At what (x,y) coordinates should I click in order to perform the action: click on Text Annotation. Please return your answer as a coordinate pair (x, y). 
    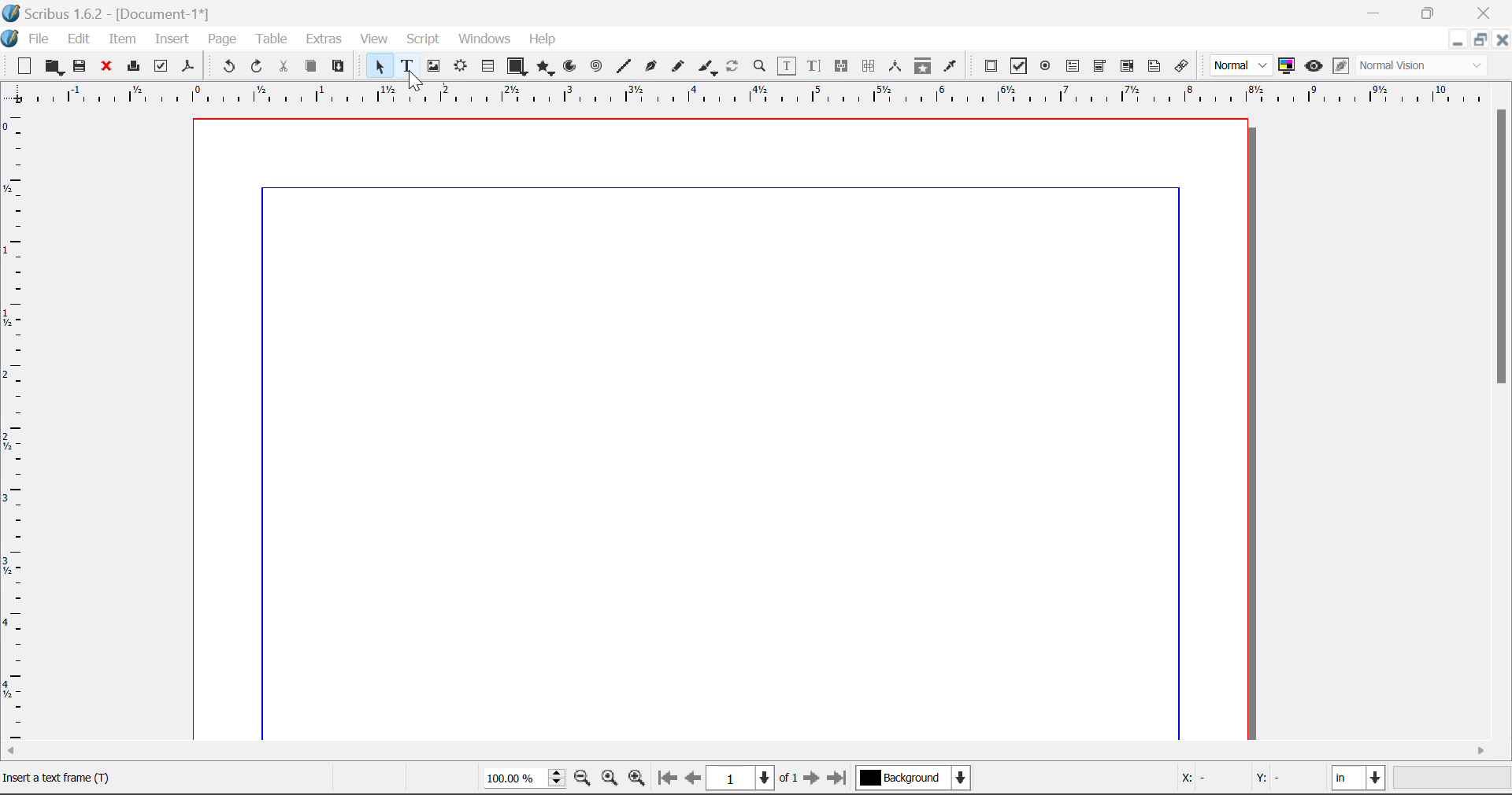
    Looking at the image, I should click on (1154, 66).